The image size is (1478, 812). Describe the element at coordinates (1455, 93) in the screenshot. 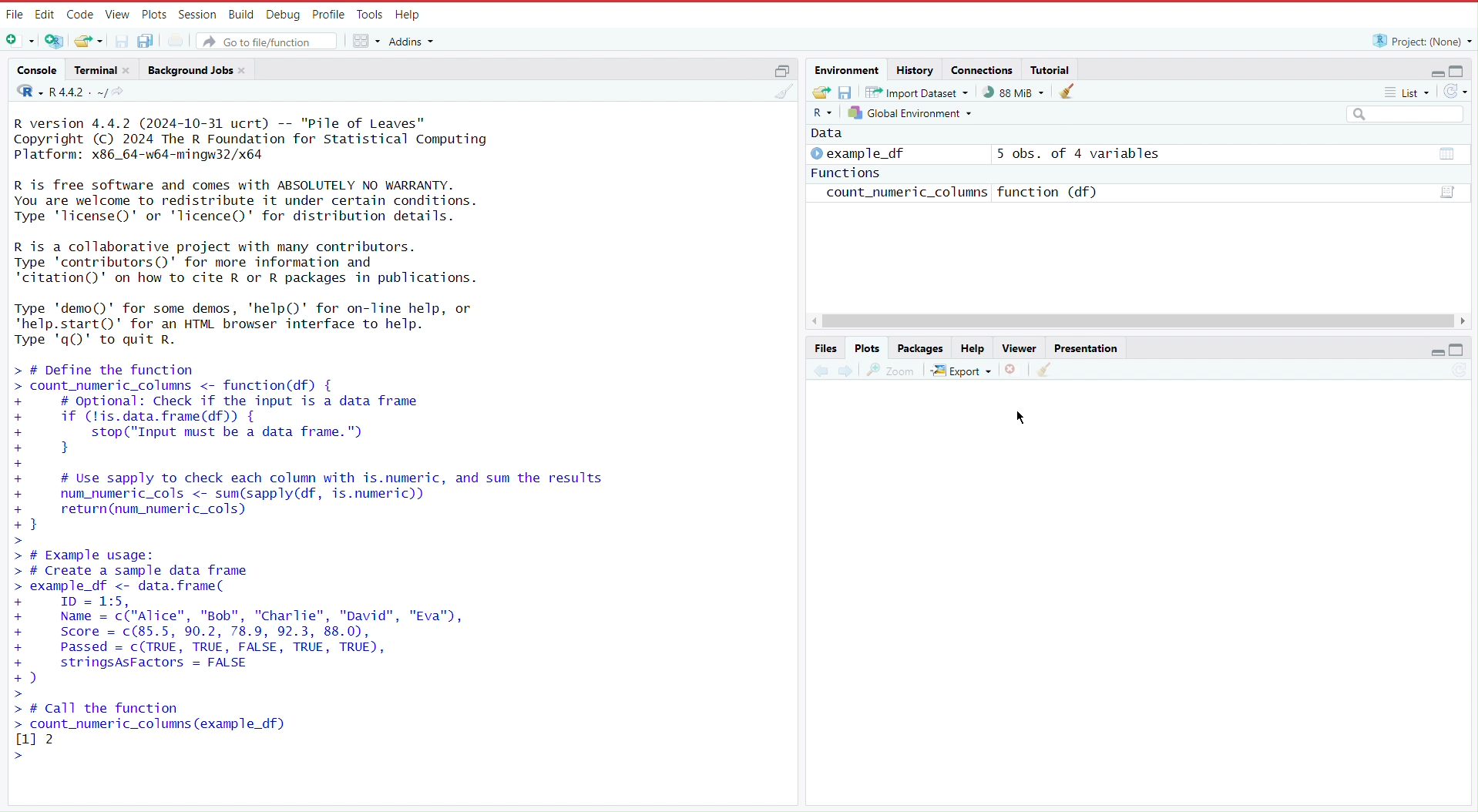

I see `Refresh the list of objects in the environment` at that location.